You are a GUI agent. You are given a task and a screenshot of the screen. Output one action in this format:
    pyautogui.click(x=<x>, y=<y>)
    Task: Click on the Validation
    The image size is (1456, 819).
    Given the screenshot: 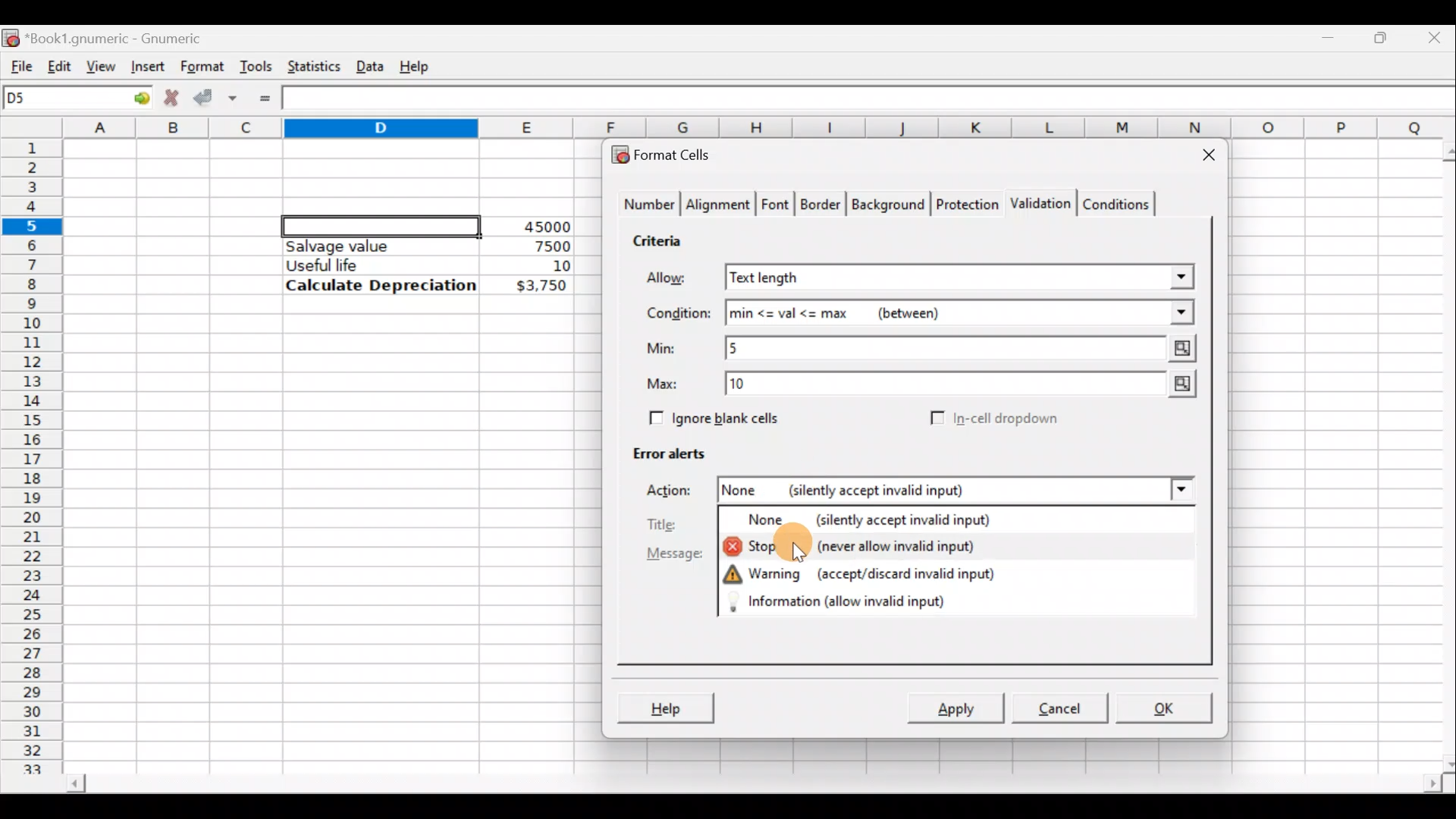 What is the action you would take?
    pyautogui.click(x=1037, y=205)
    